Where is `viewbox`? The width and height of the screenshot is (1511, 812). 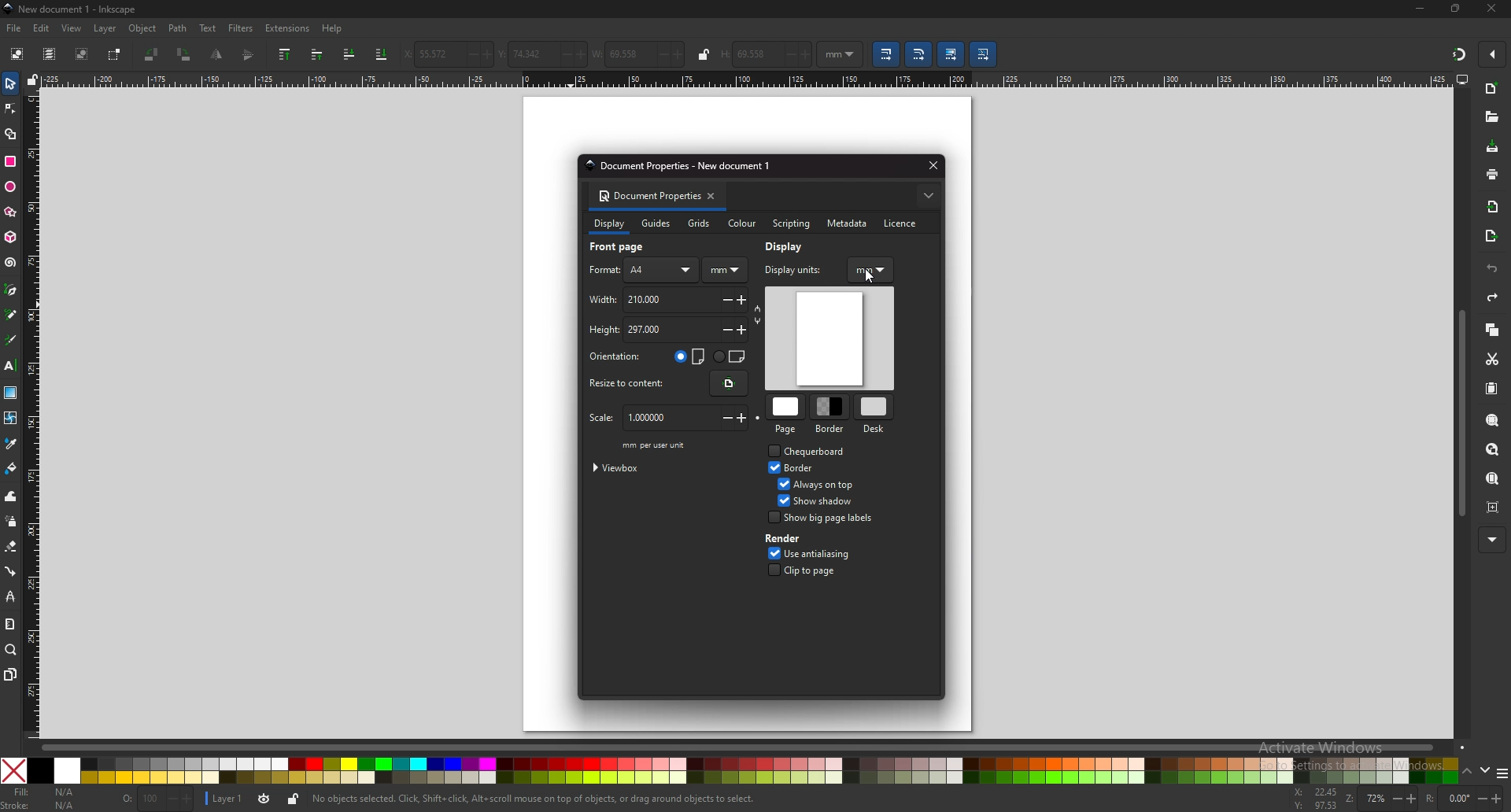
viewbox is located at coordinates (622, 467).